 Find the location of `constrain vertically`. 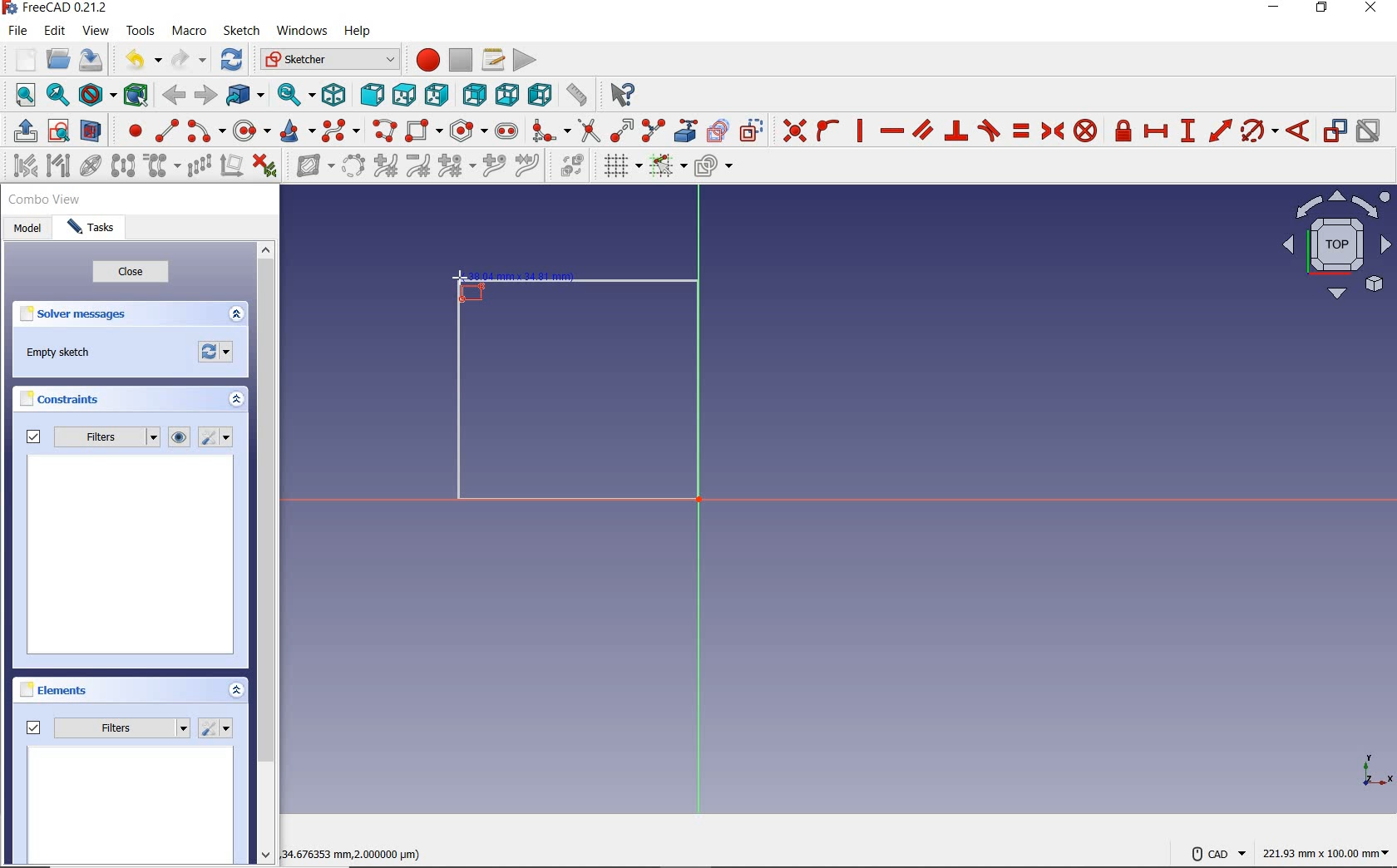

constrain vertically is located at coordinates (861, 133).